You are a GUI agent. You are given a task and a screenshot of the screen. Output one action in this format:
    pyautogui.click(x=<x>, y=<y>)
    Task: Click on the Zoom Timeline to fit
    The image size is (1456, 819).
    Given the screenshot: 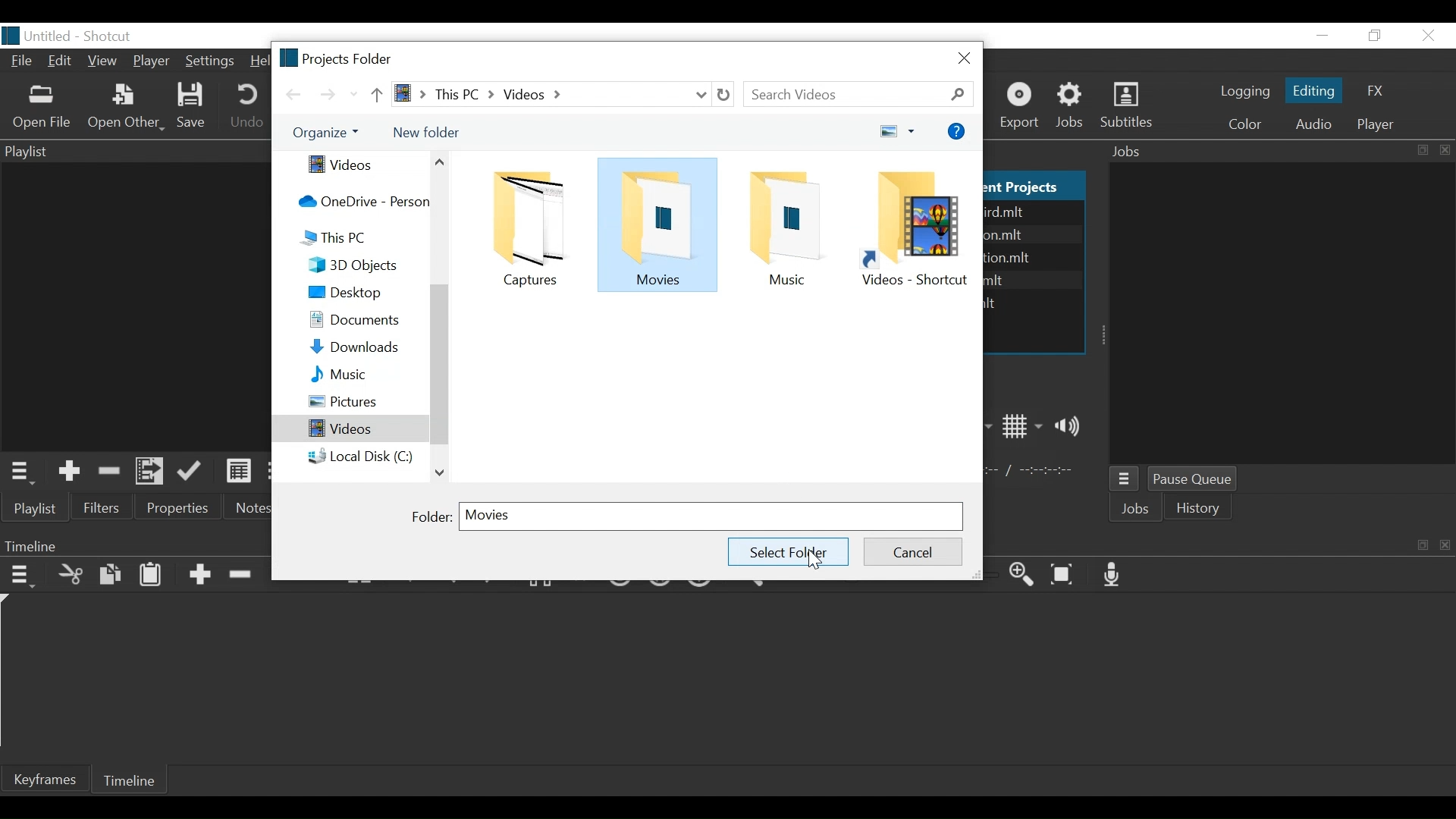 What is the action you would take?
    pyautogui.click(x=1065, y=575)
    